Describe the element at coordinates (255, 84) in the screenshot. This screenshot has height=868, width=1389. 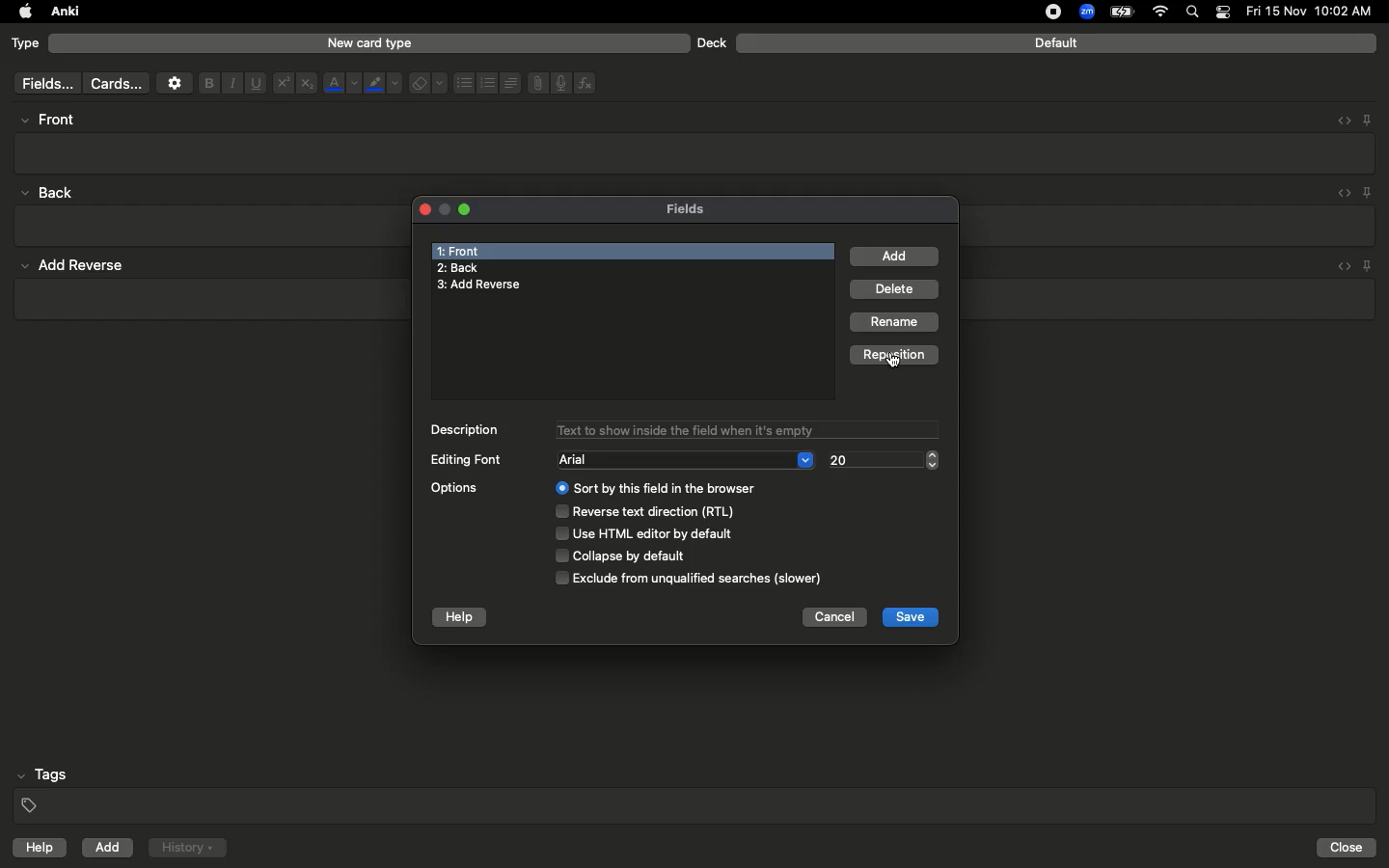
I see `Underline` at that location.